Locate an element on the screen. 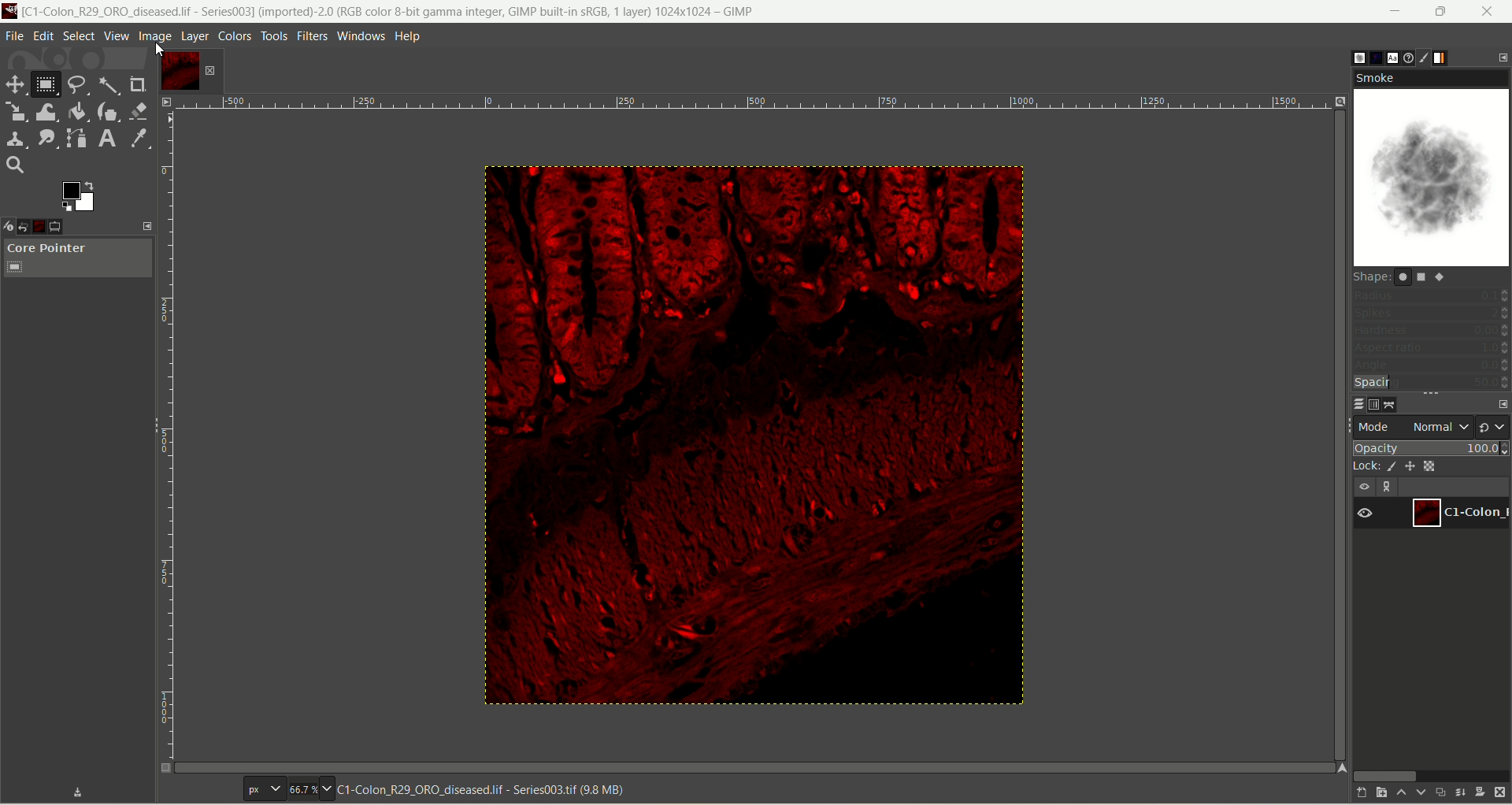 This screenshot has height=805, width=1512. eraser tool is located at coordinates (139, 112).